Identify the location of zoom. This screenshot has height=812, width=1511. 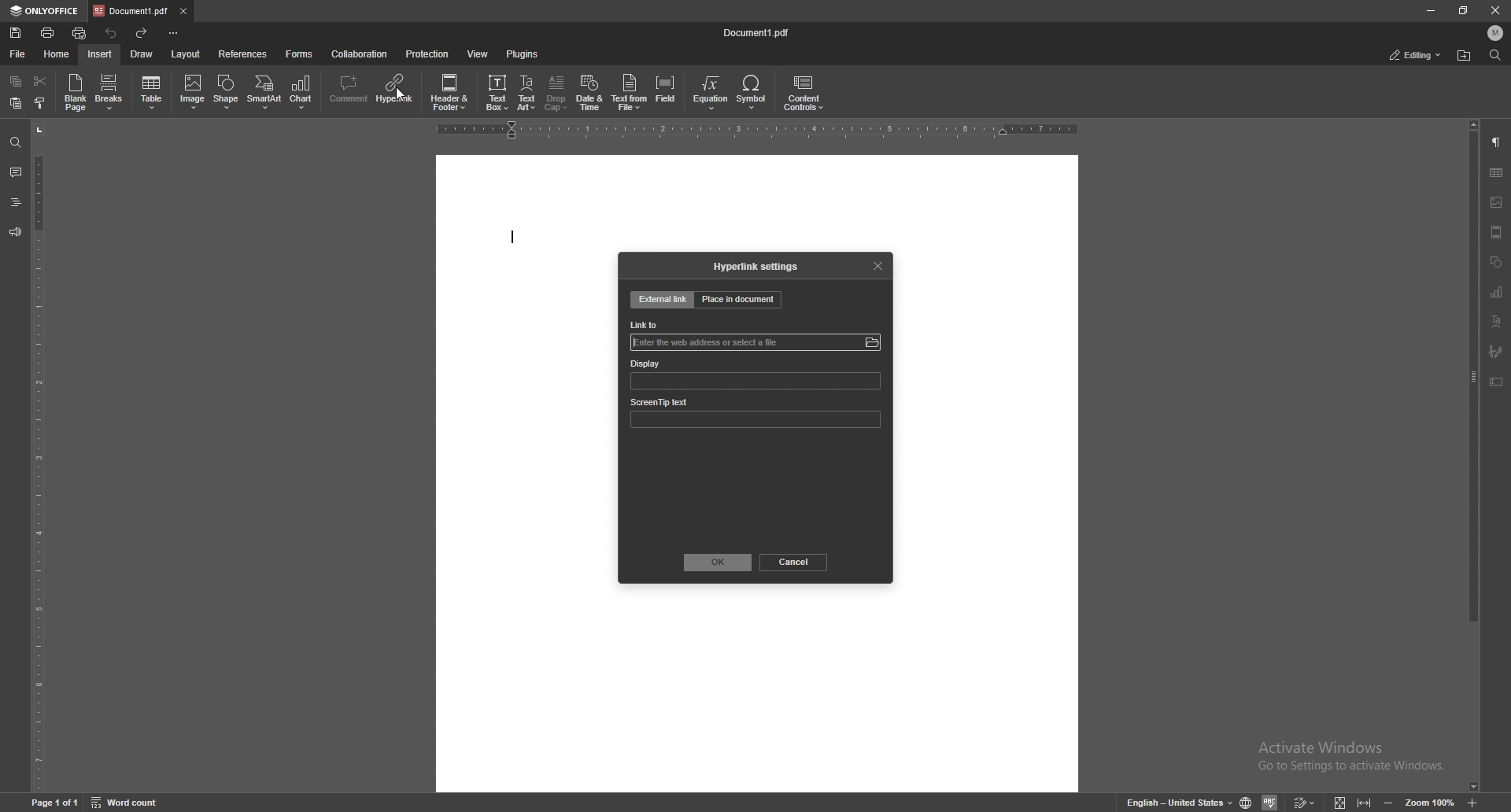
(1428, 801).